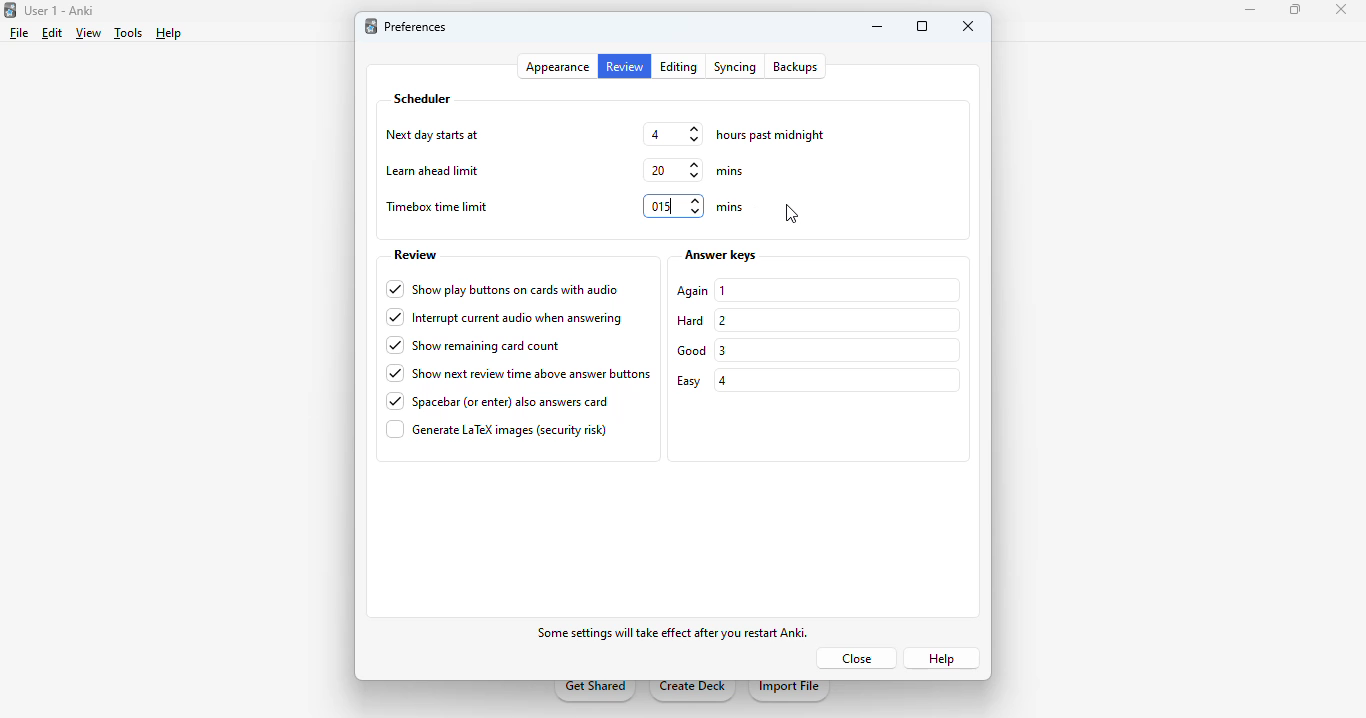 This screenshot has width=1366, height=718. What do you see at coordinates (676, 634) in the screenshot?
I see `some effects will take effect after you restart Anki` at bounding box center [676, 634].